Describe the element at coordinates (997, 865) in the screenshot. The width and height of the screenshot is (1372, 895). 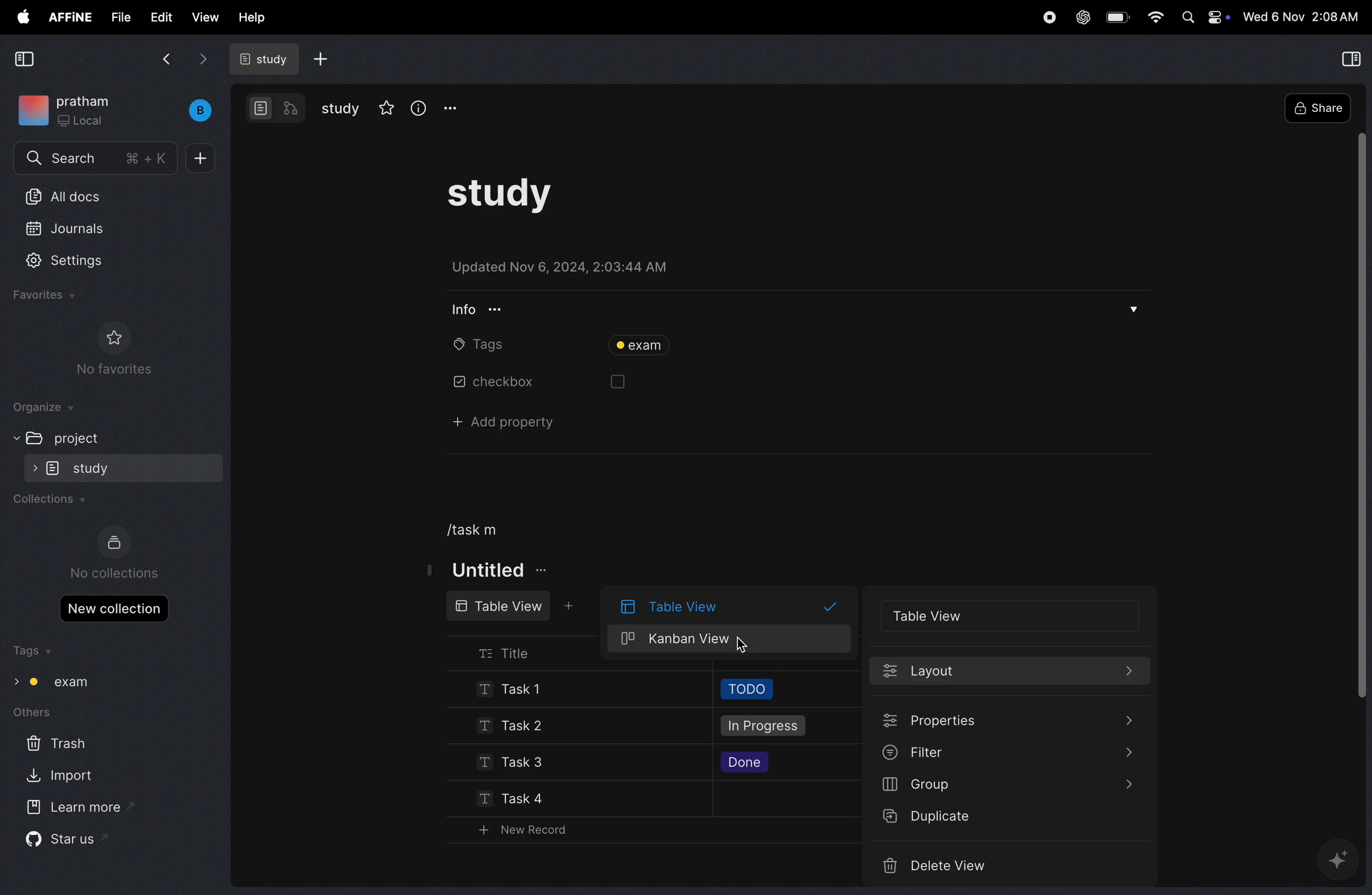
I see `delete videos` at that location.